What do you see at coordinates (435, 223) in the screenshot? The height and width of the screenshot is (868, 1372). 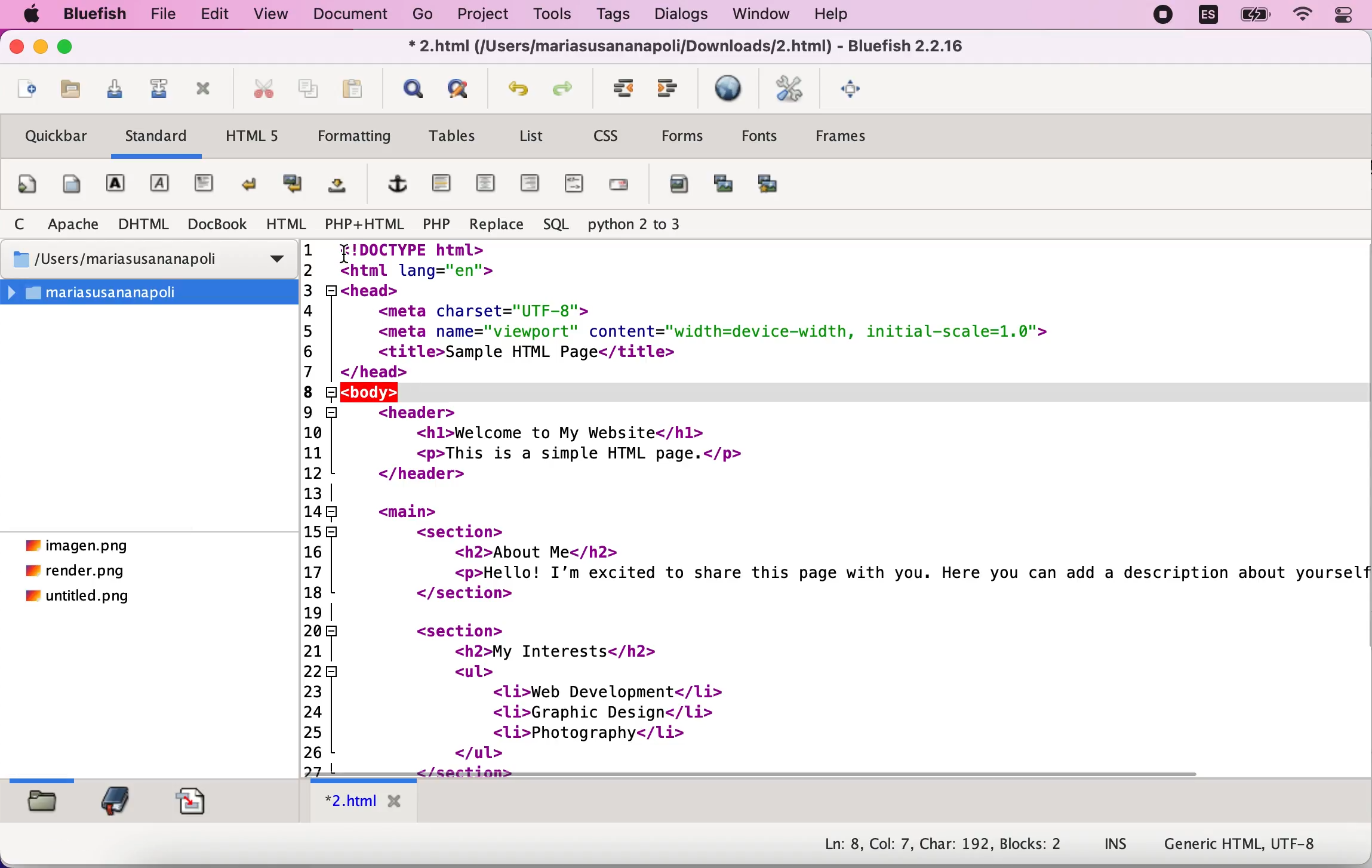 I see `php` at bounding box center [435, 223].